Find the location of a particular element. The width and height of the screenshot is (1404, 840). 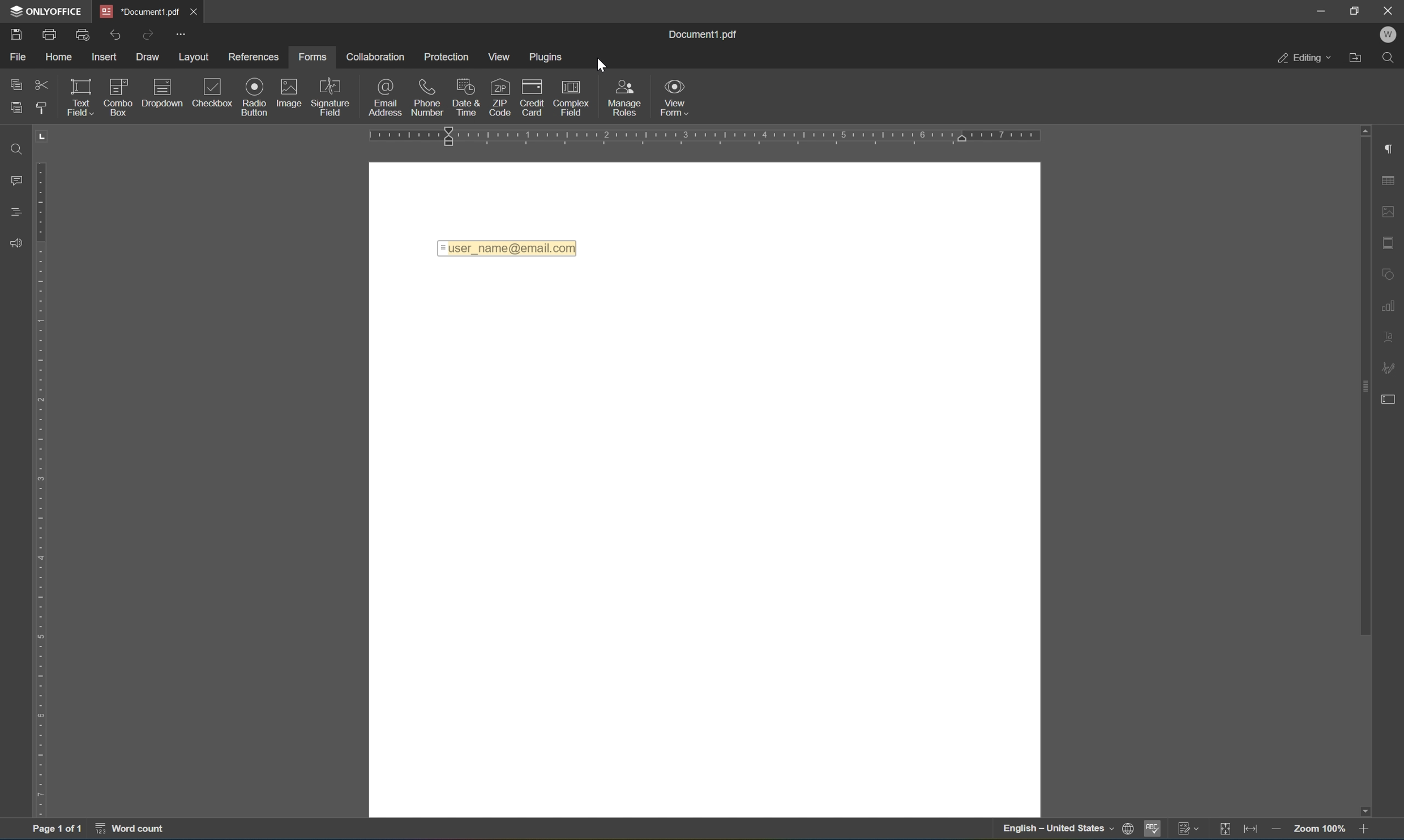

collaboration is located at coordinates (378, 58).